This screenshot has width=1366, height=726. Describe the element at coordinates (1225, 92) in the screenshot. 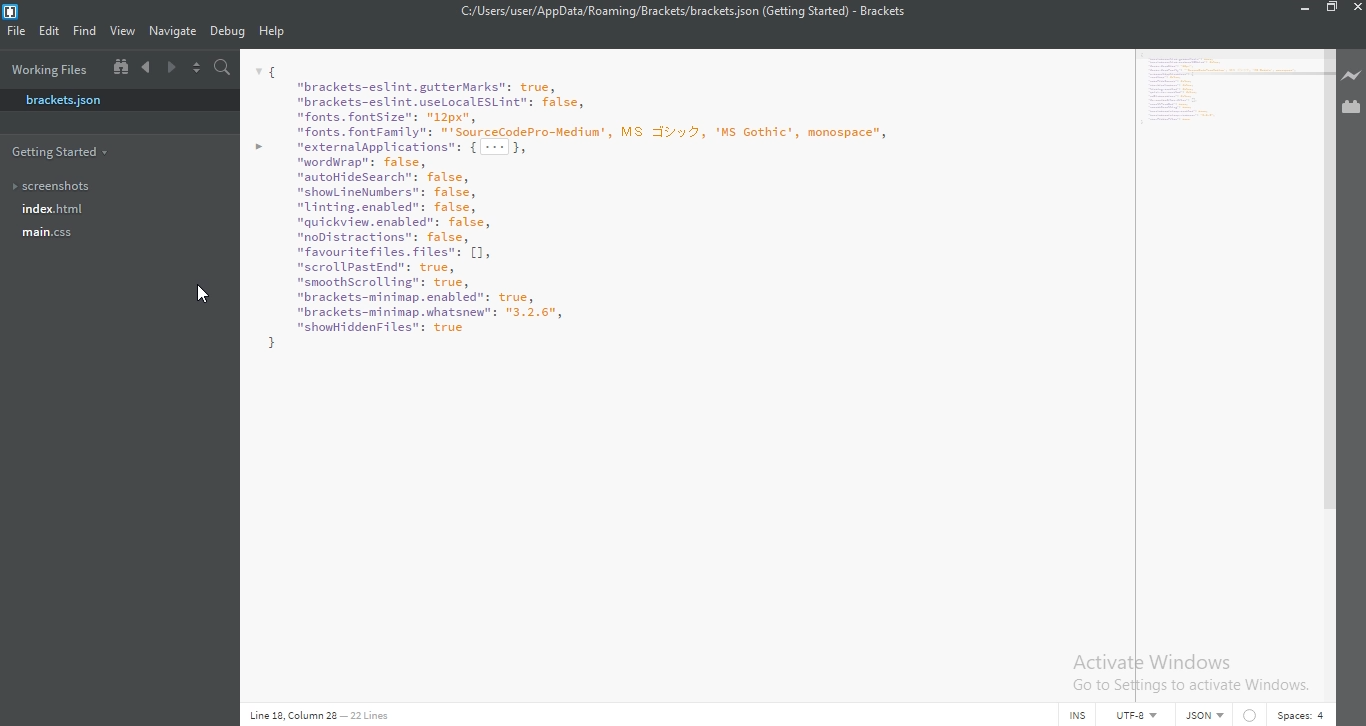

I see `M | "brackets-eslint. gutterMarks": true, "brackets-eslint.useLocalESLint": false, fonts. fontSize": "1px", fonts. fontFamily": "'SourceCodePro-Hediua', MS TJ'y%, 'MS Gothic’, monospace”, > externalapplications™: { ---|}, "wordurap": false, “autoHideSearch”: false, "showLineNumbers": false, "Linting.enabled": false, “quickview.cnabled”: false, "noDistractions": false, "favouritefiles. Files": [1, "scrollPastEnd": true, "smoothScrol ling”: false, "brackets-mininap. enabled": true, "brackets-mininap.whatsnew": "3.2.6", "showiddenFiles": true H` at that location.